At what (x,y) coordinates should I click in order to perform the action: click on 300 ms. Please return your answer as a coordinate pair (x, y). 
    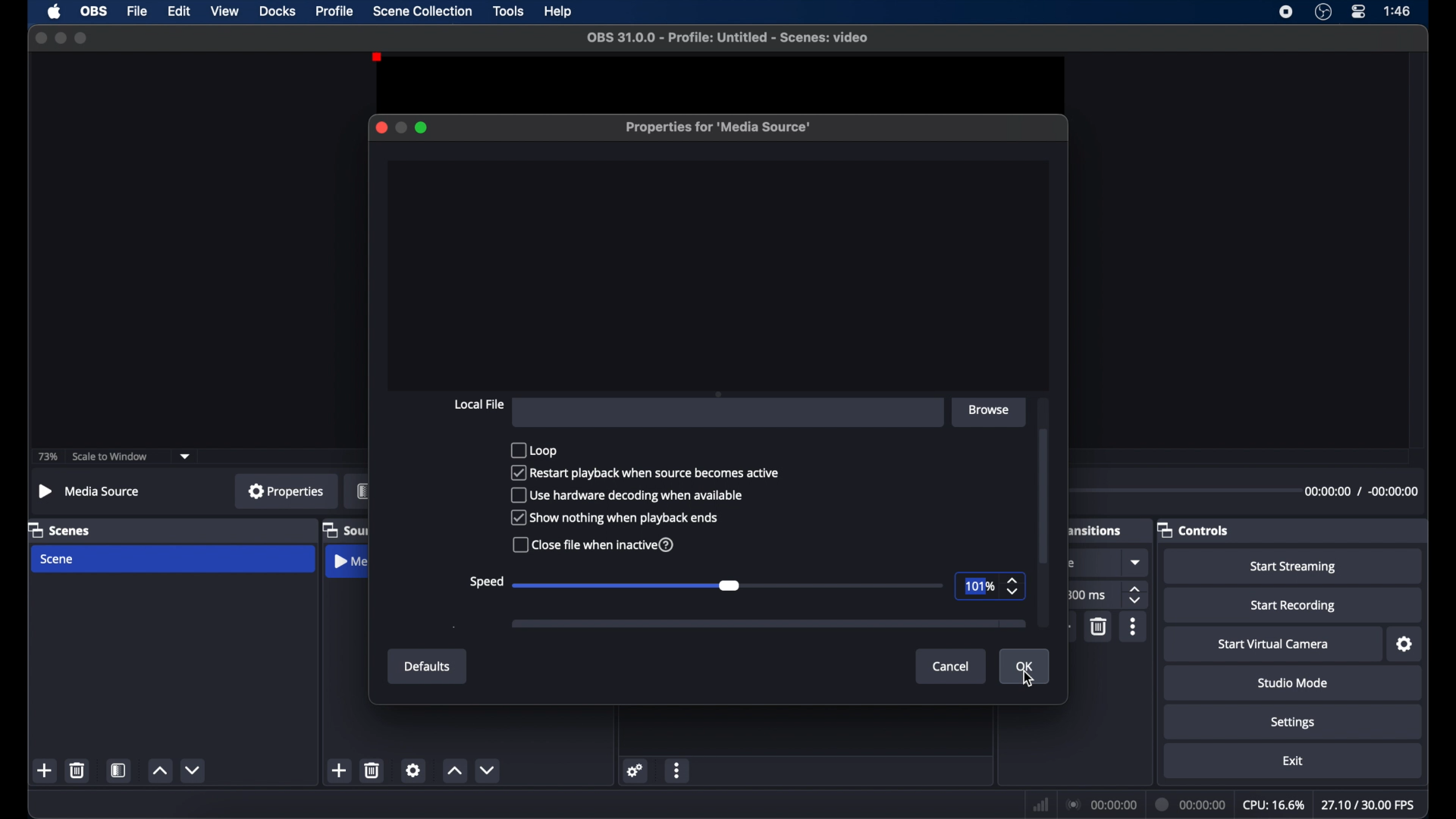
    Looking at the image, I should click on (1086, 595).